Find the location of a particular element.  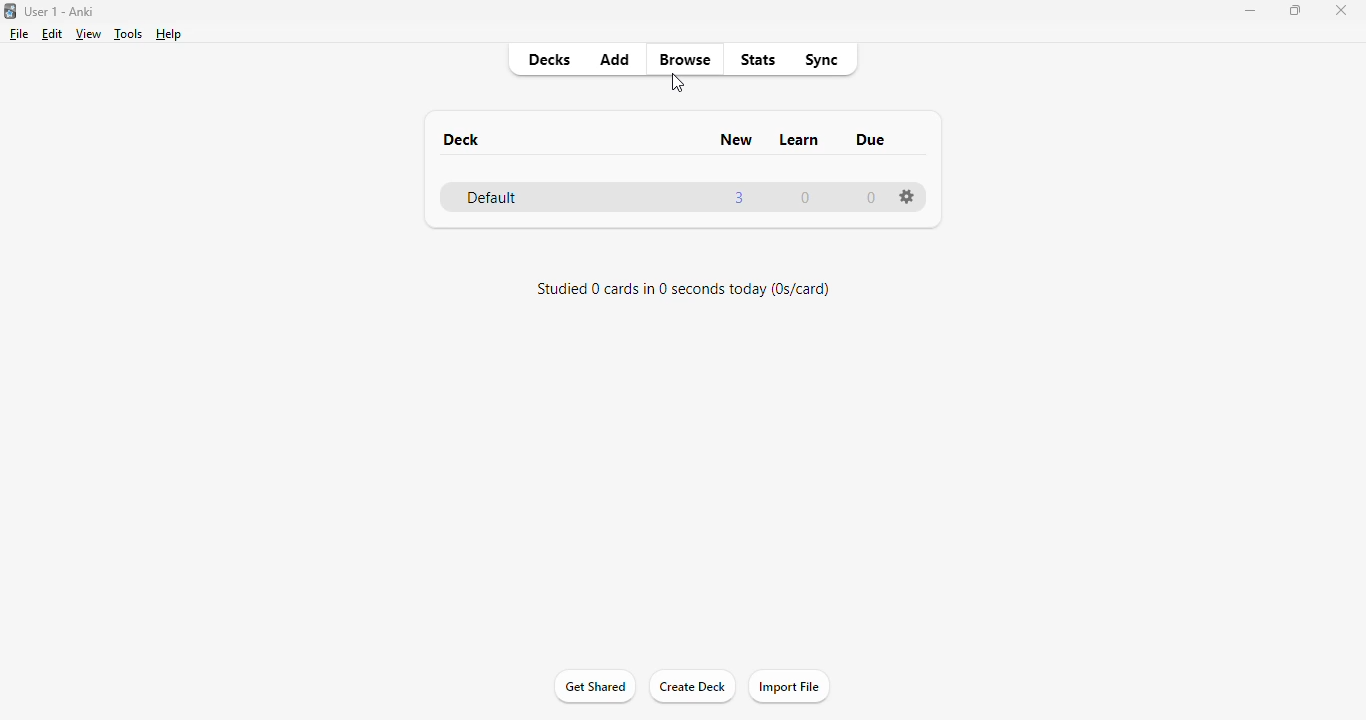

logo is located at coordinates (11, 11).